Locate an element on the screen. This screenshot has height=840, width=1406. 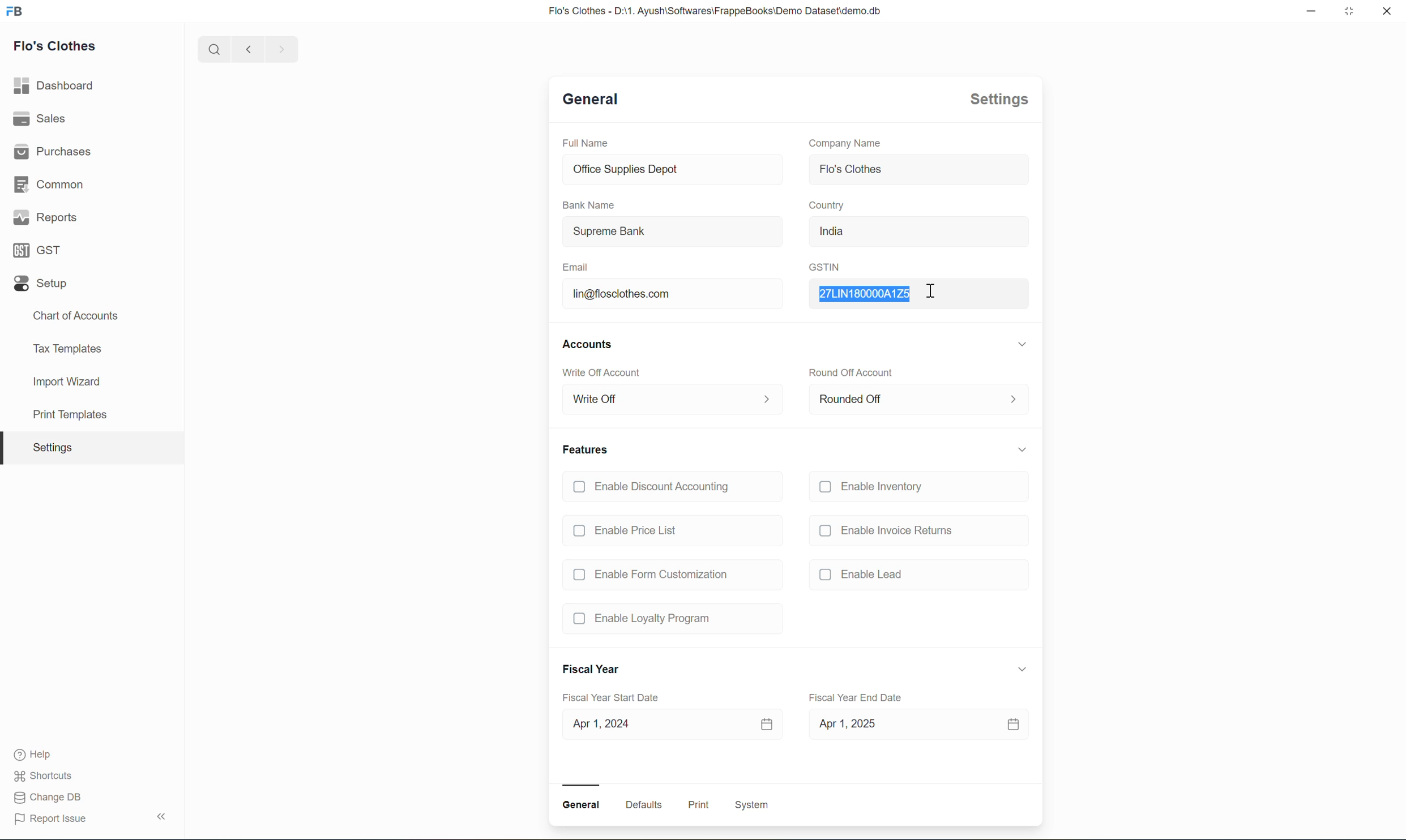
maximize is located at coordinates (1349, 10).